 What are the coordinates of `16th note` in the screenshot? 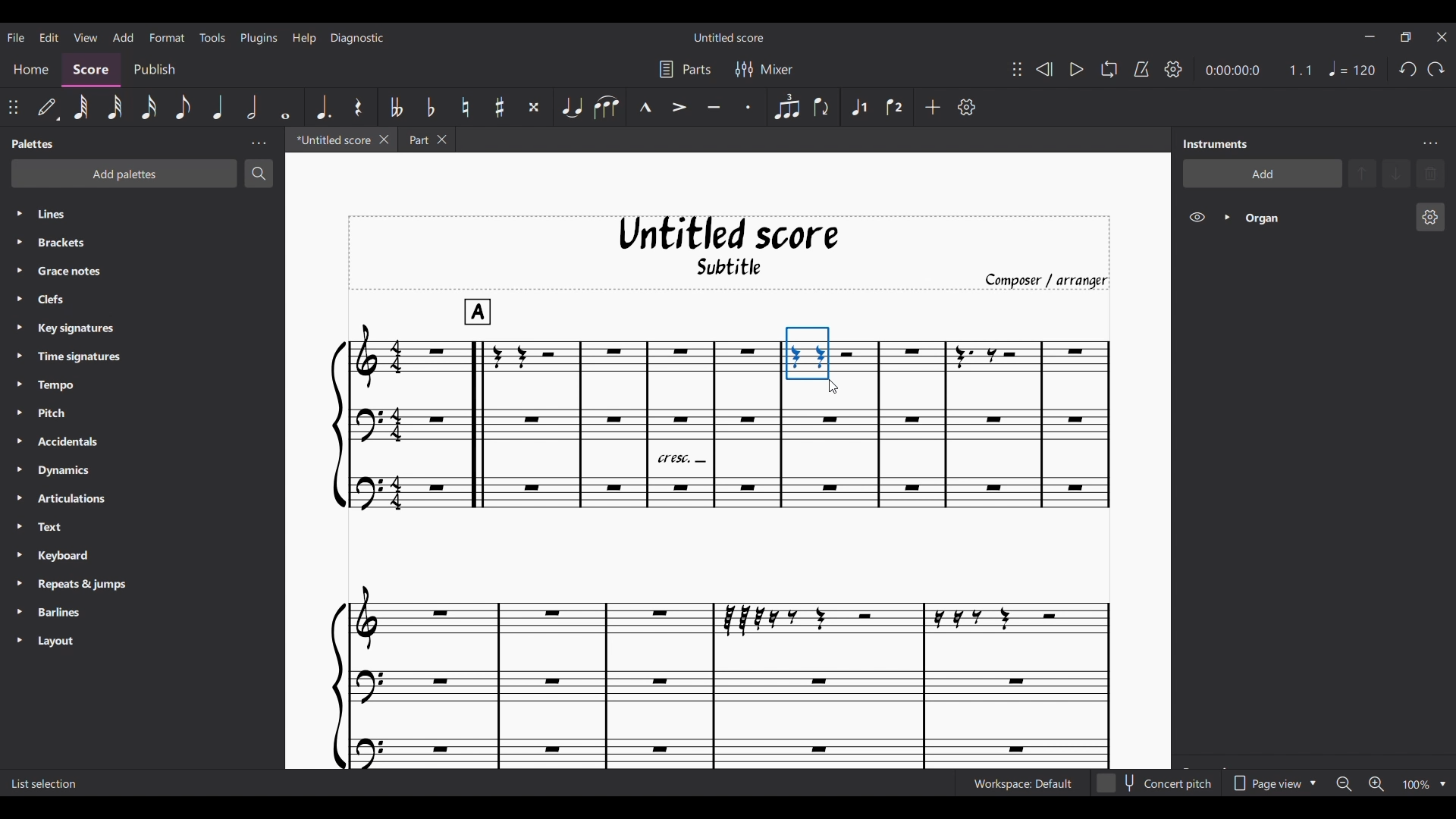 It's located at (149, 108).